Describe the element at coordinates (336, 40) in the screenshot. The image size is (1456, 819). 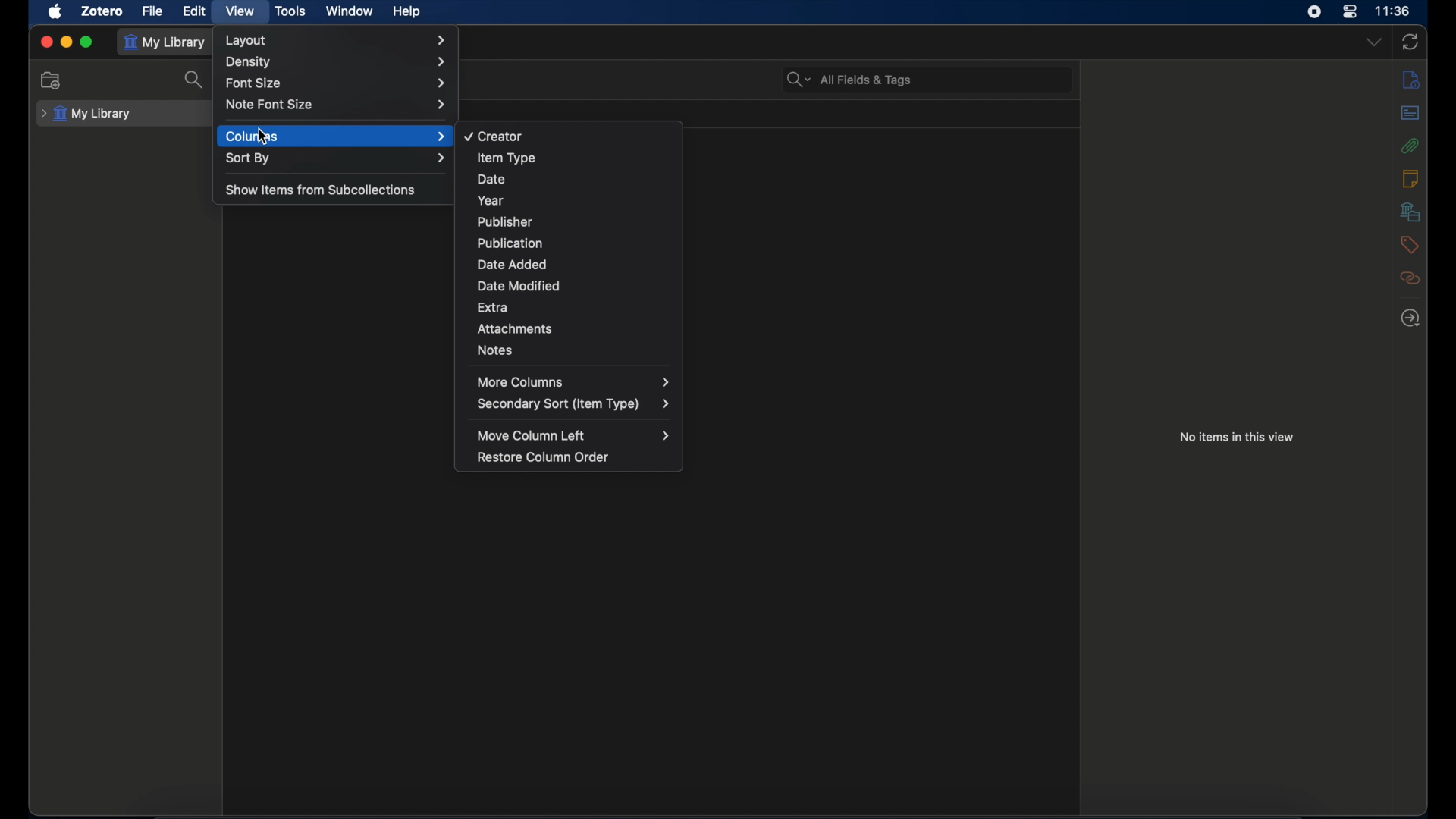
I see `layout` at that location.